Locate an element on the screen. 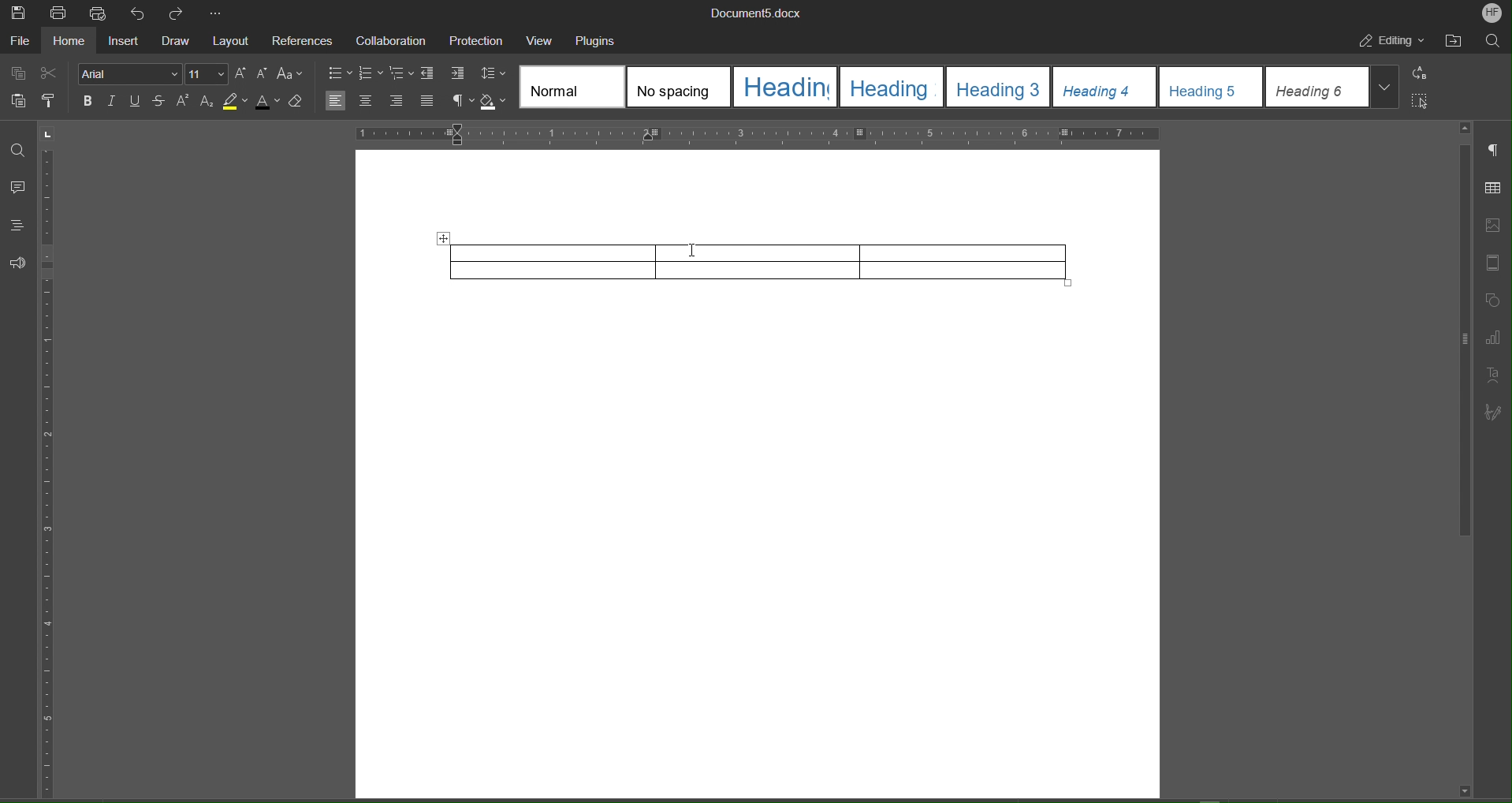 Image resolution: width=1512 pixels, height=803 pixels. Superscript is located at coordinates (184, 102).